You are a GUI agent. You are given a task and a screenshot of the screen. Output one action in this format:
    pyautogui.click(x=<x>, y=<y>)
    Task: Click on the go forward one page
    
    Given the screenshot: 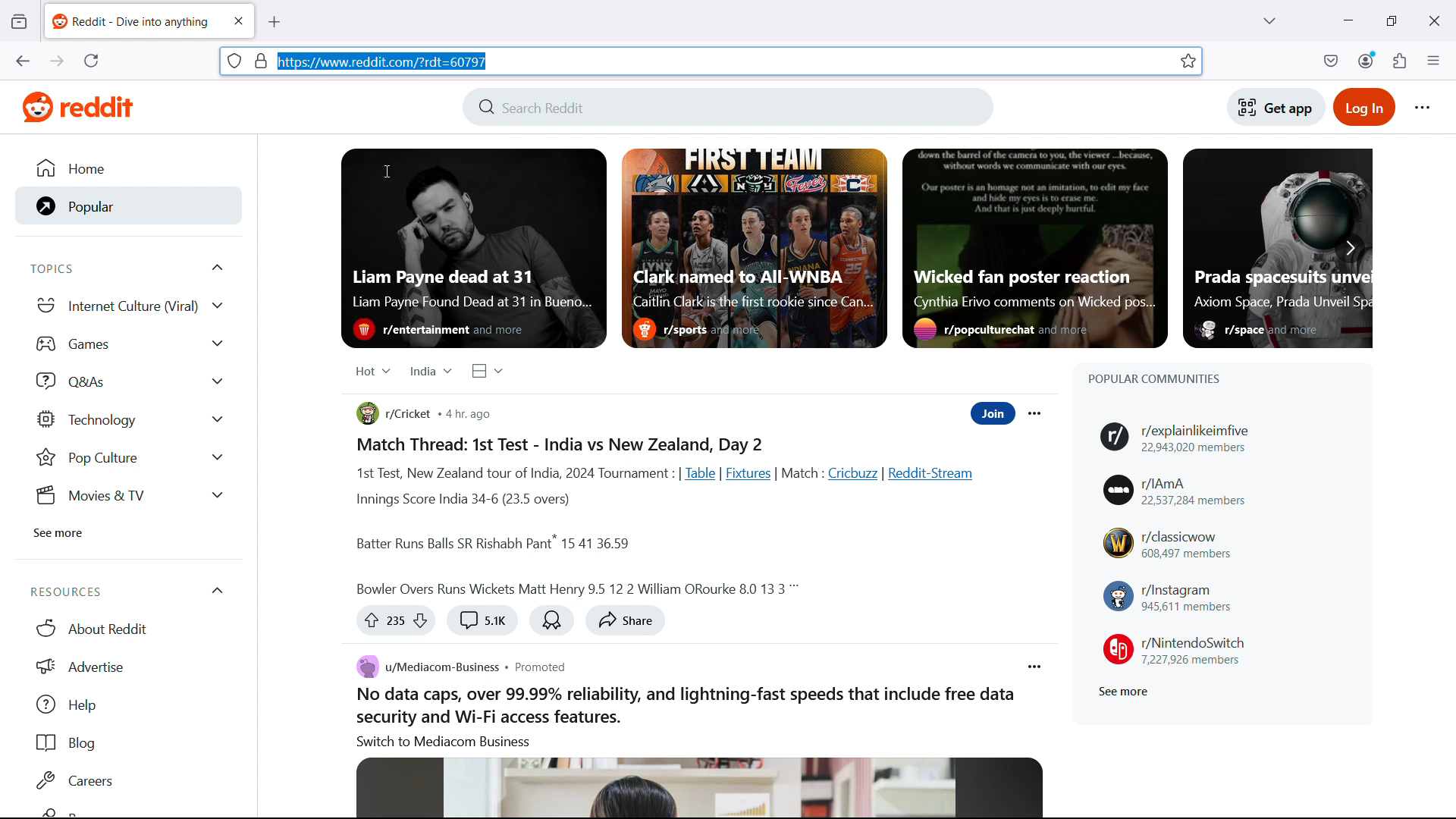 What is the action you would take?
    pyautogui.click(x=57, y=60)
    